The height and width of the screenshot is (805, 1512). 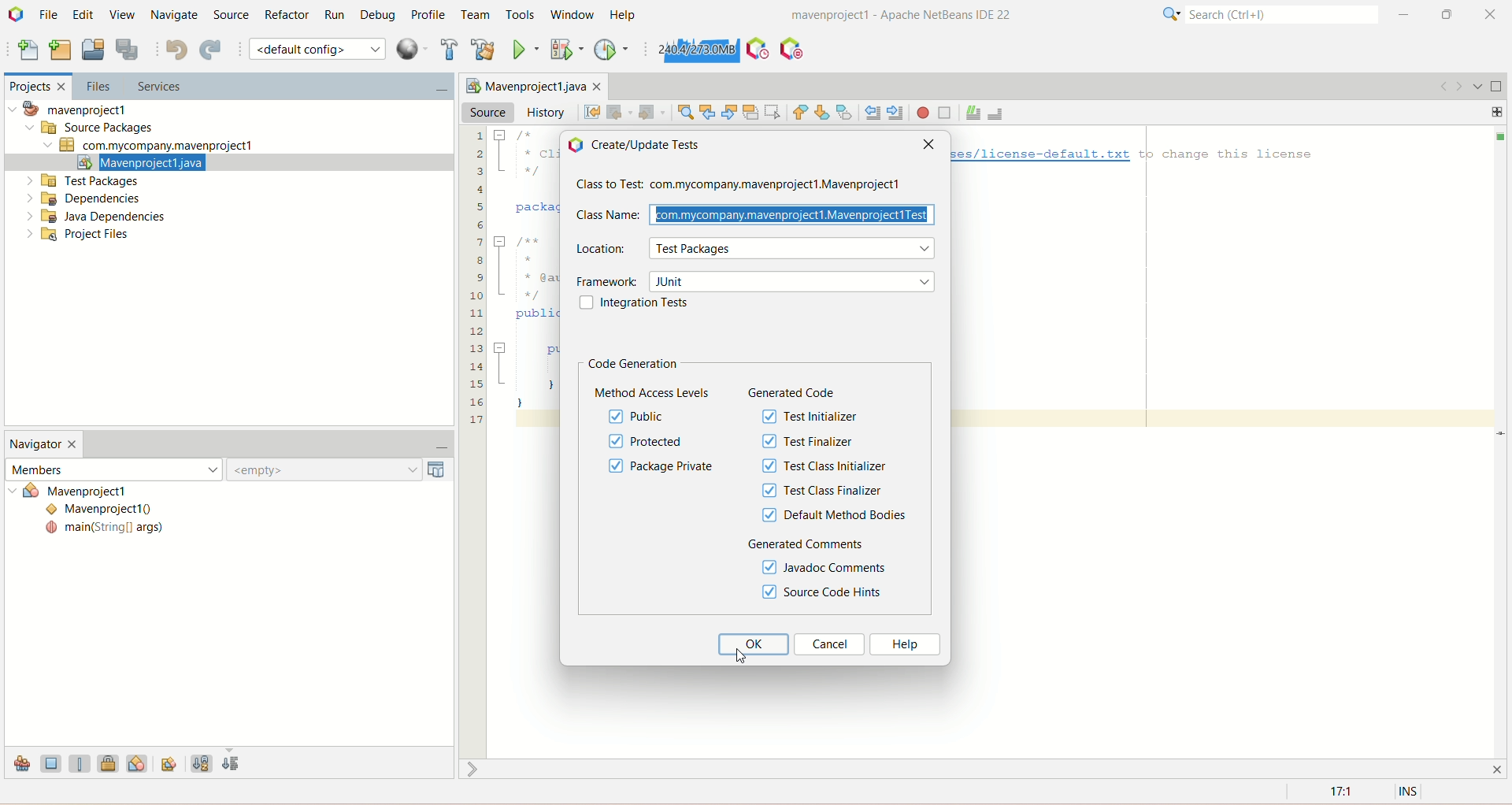 What do you see at coordinates (113, 468) in the screenshot?
I see `members` at bounding box center [113, 468].